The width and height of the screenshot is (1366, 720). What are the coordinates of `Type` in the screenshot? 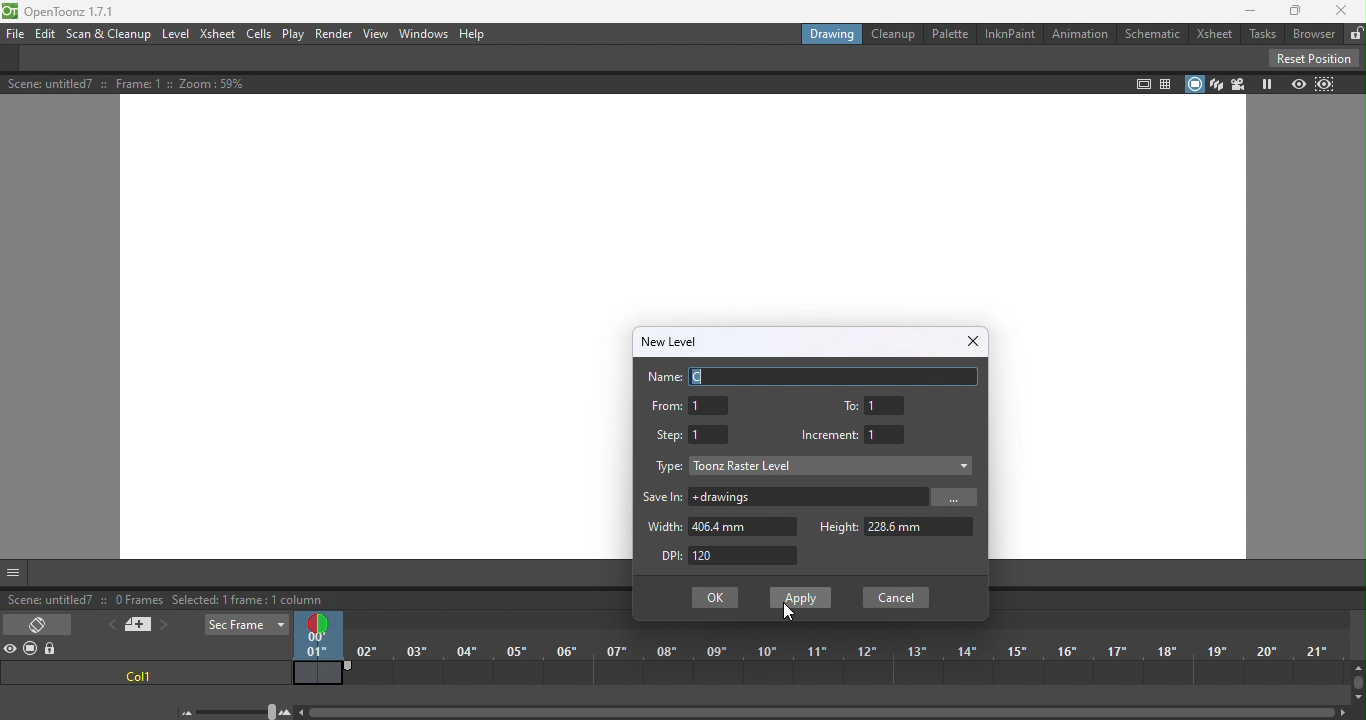 It's located at (666, 469).